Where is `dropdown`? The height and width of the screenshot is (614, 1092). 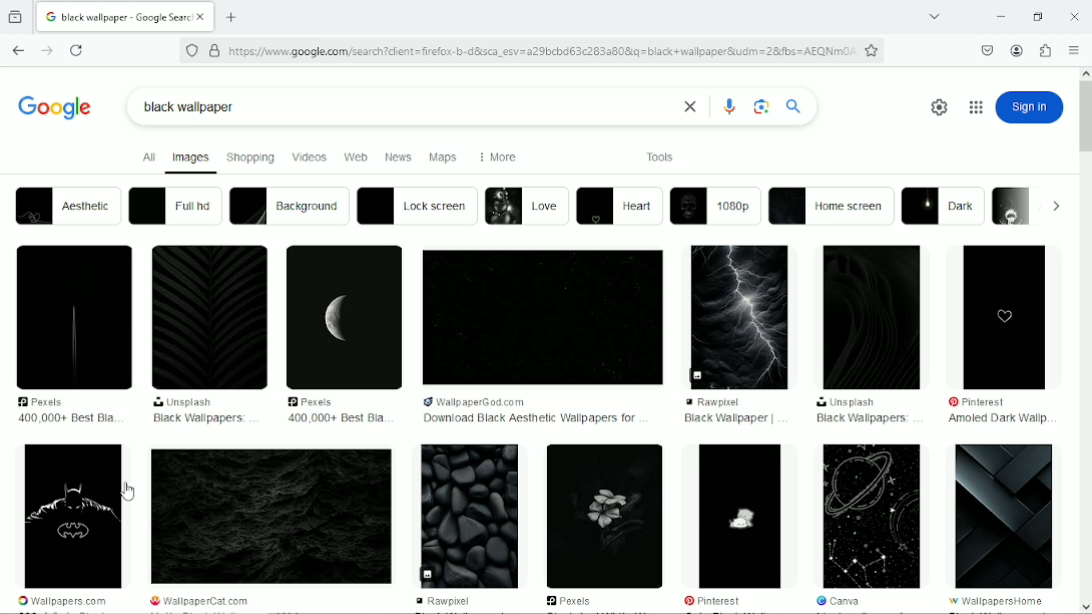
dropdown is located at coordinates (1056, 206).